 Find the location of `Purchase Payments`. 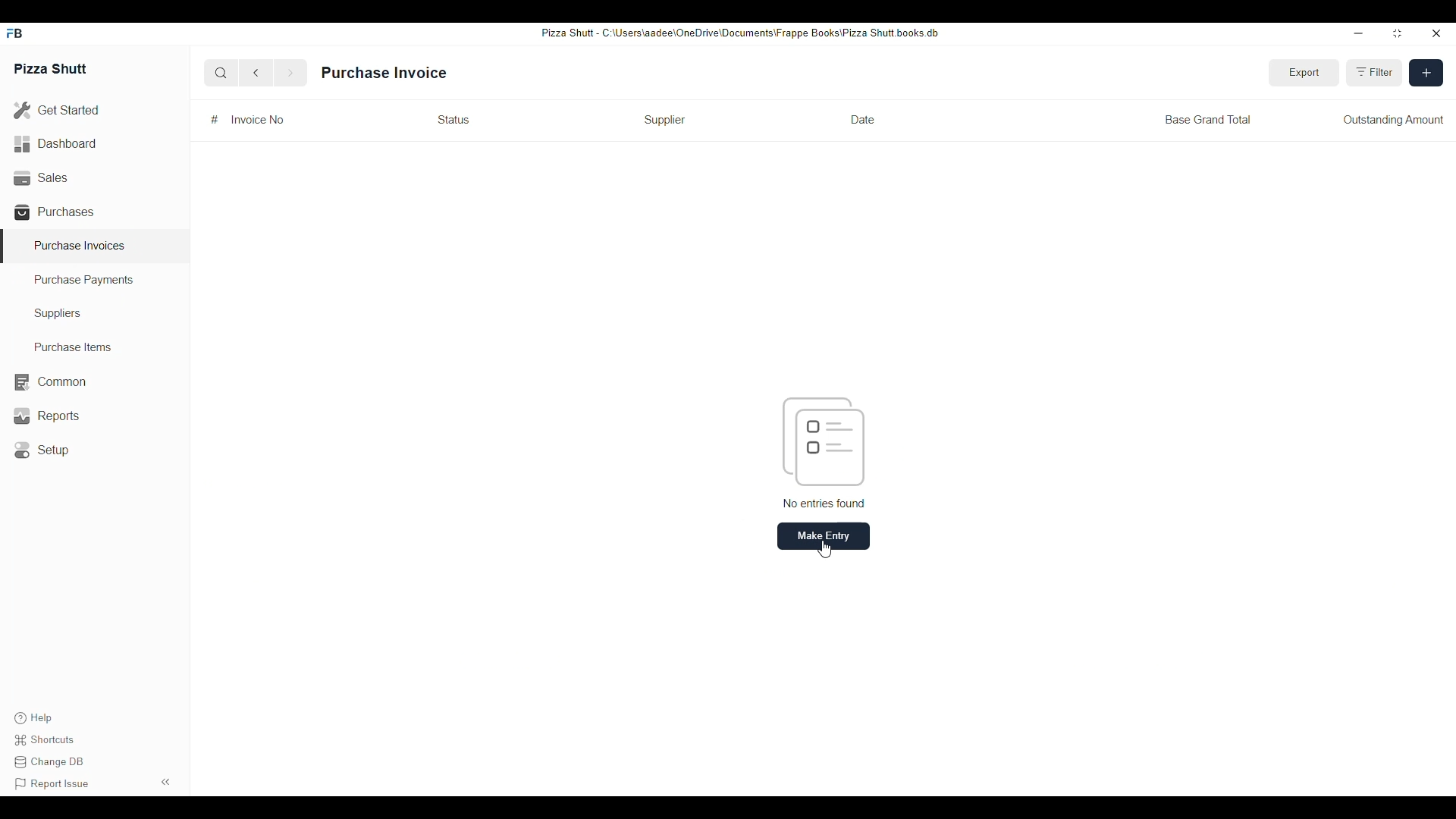

Purchase Payments is located at coordinates (85, 281).